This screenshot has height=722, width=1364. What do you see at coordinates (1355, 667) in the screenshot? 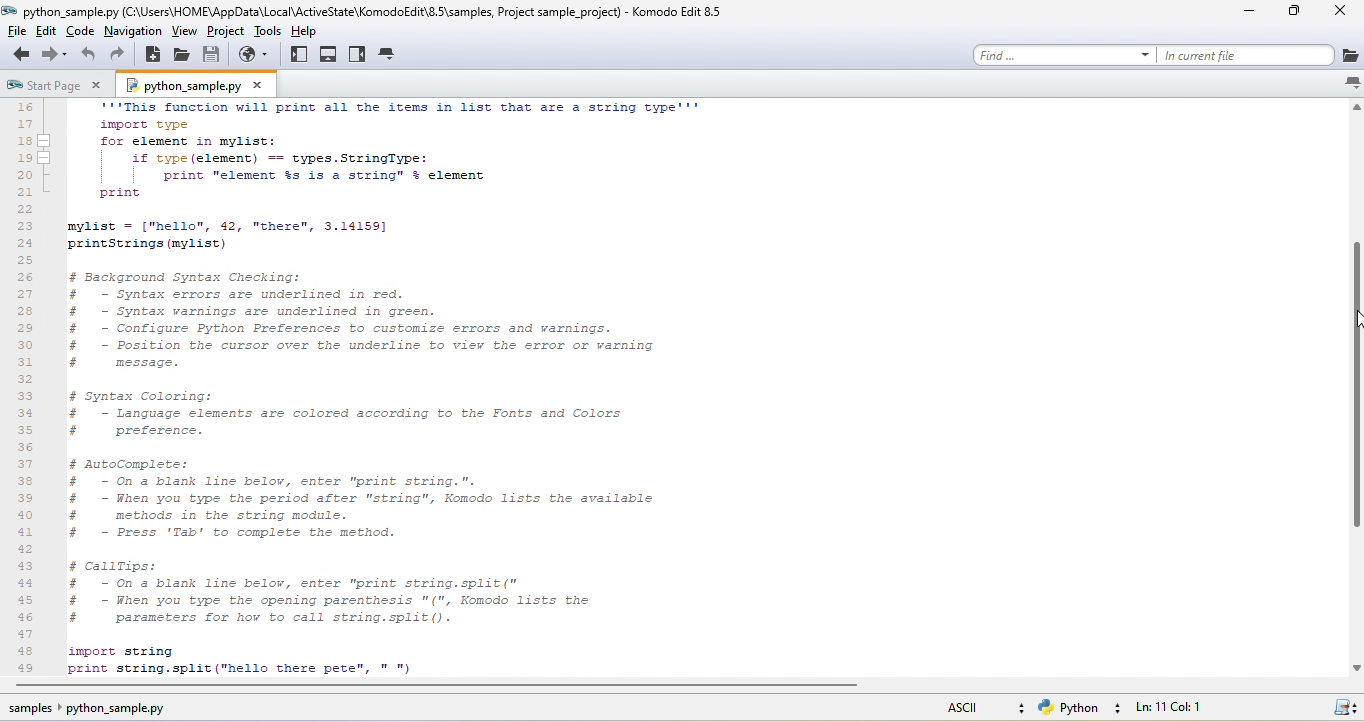
I see `scroll down` at bounding box center [1355, 667].